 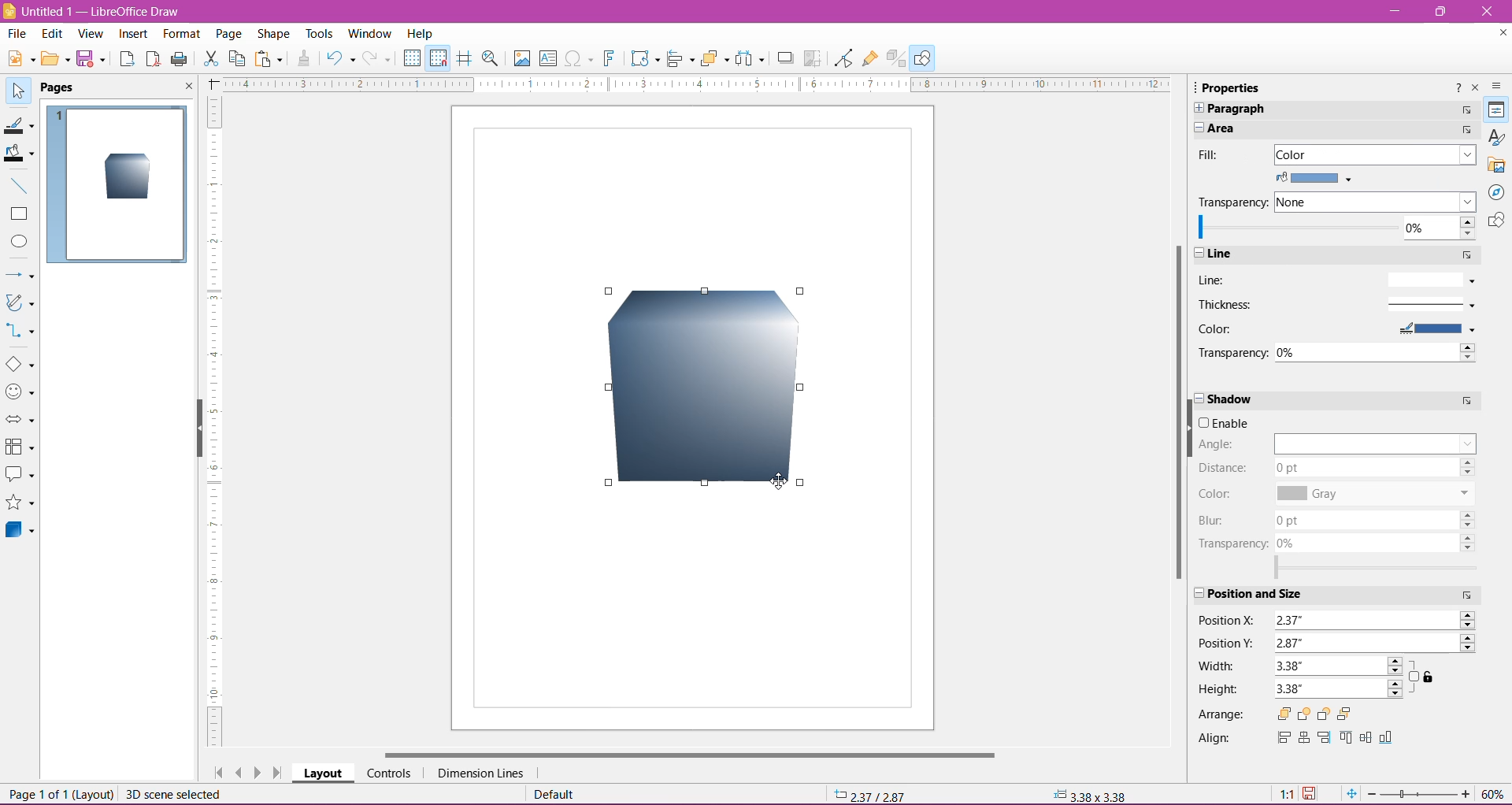 What do you see at coordinates (1371, 794) in the screenshot?
I see `Zoom Out` at bounding box center [1371, 794].